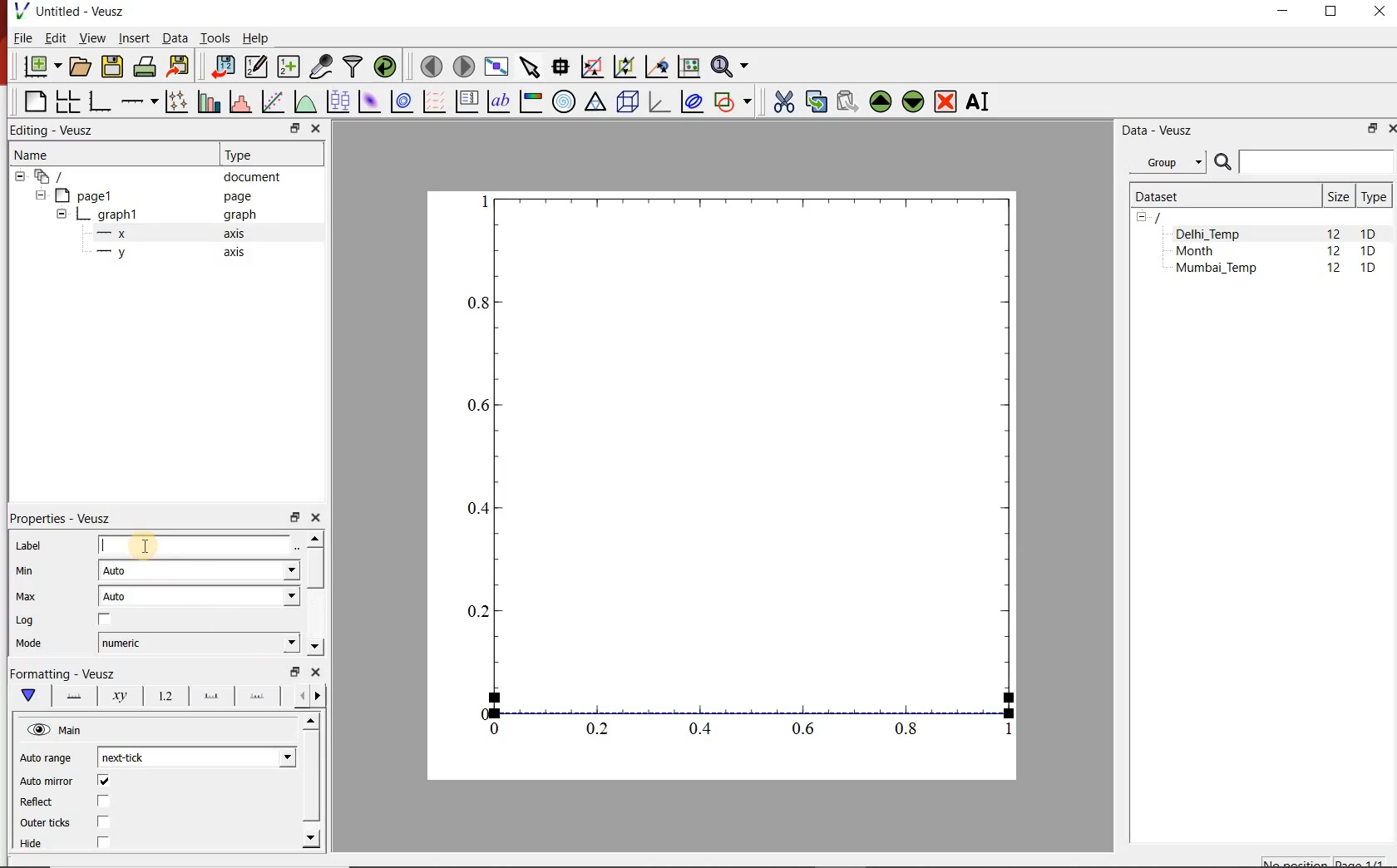 This screenshot has height=868, width=1397. What do you see at coordinates (67, 673) in the screenshot?
I see `Formatting - Veusz` at bounding box center [67, 673].